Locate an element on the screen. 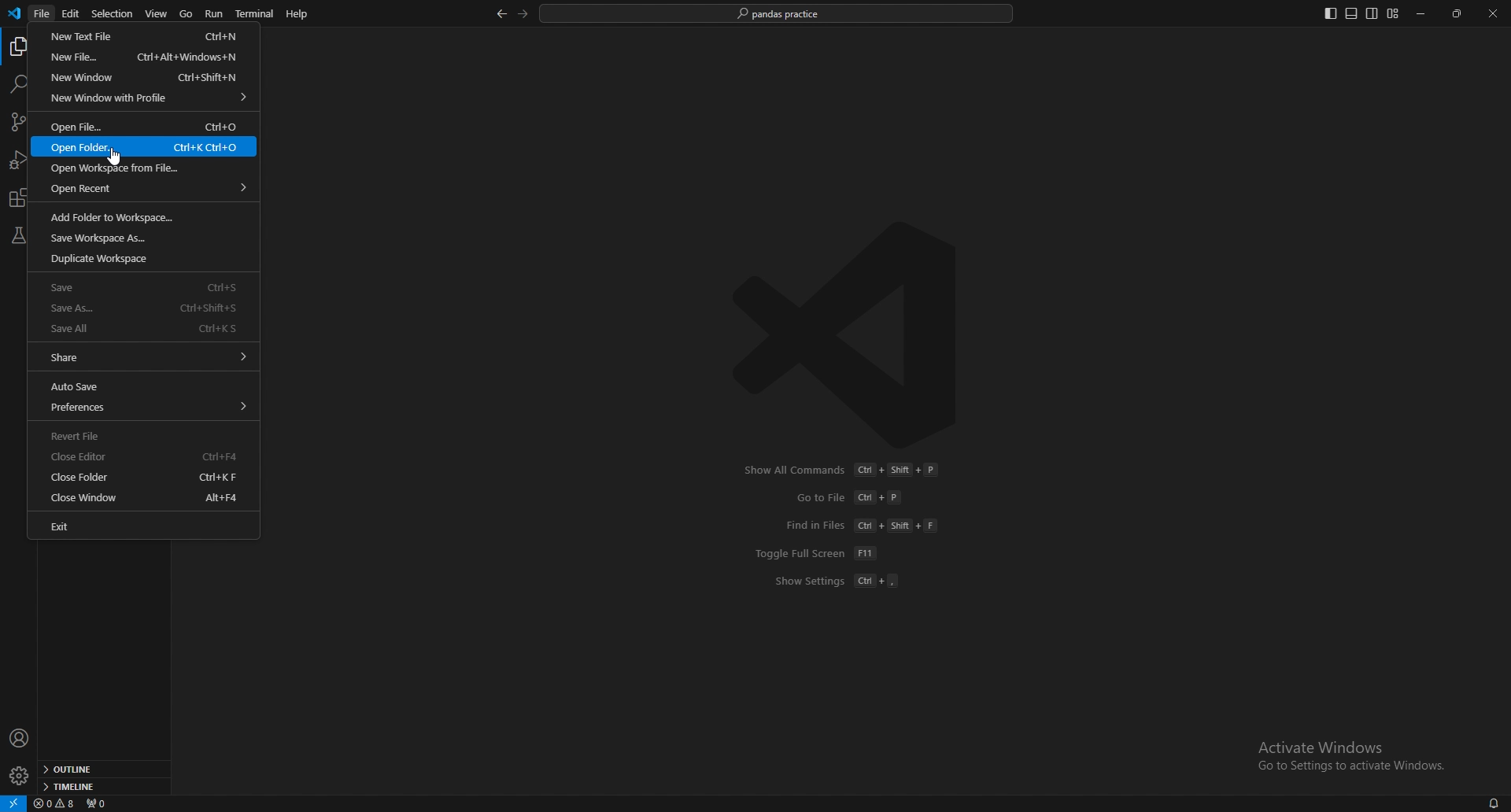 The width and height of the screenshot is (1511, 812). pandas practice is located at coordinates (778, 14).